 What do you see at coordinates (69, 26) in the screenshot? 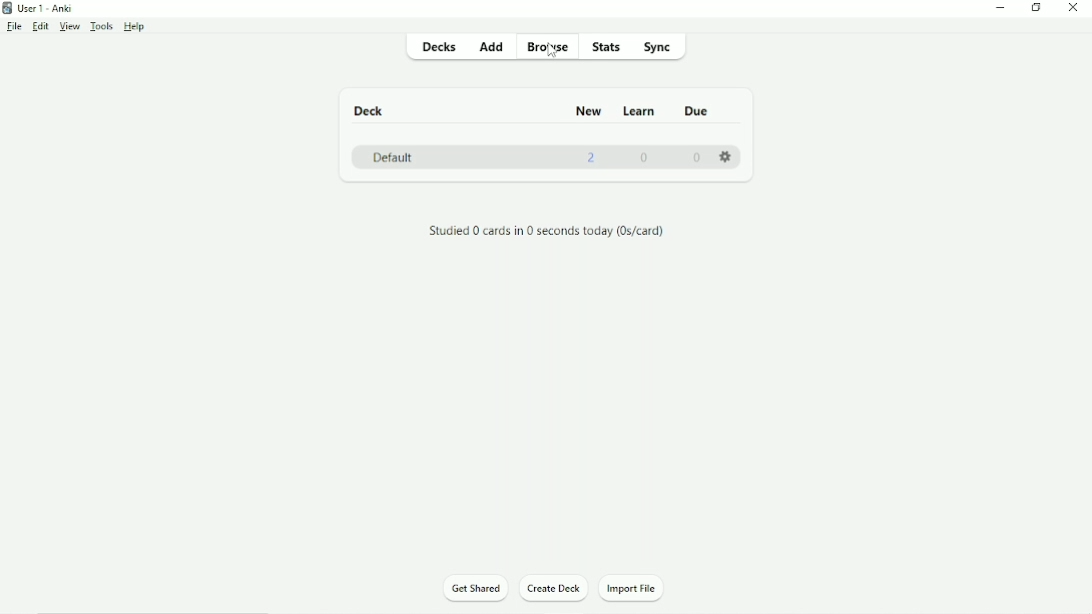
I see `View` at bounding box center [69, 26].